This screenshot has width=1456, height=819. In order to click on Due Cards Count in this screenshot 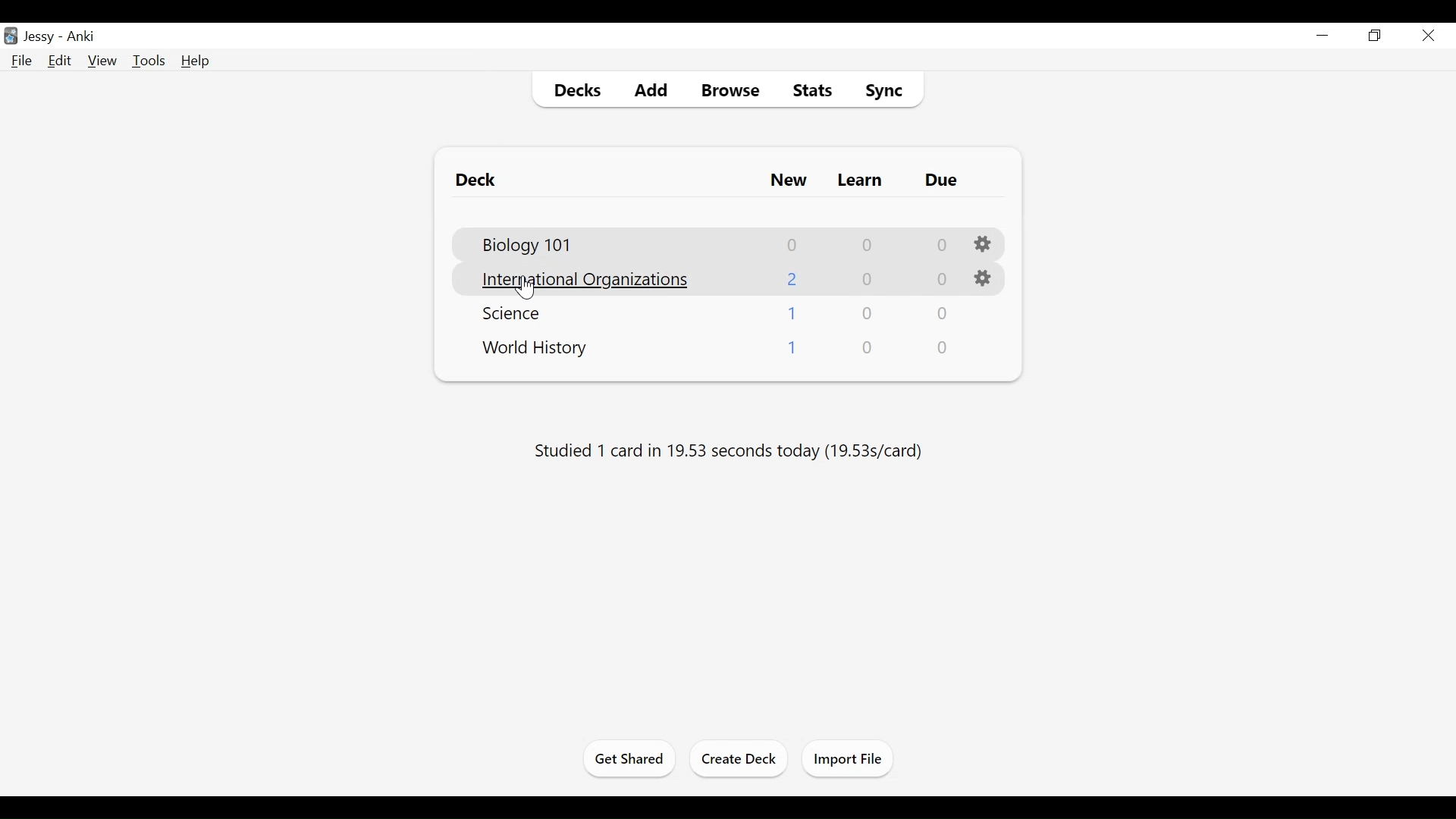, I will do `click(941, 244)`.